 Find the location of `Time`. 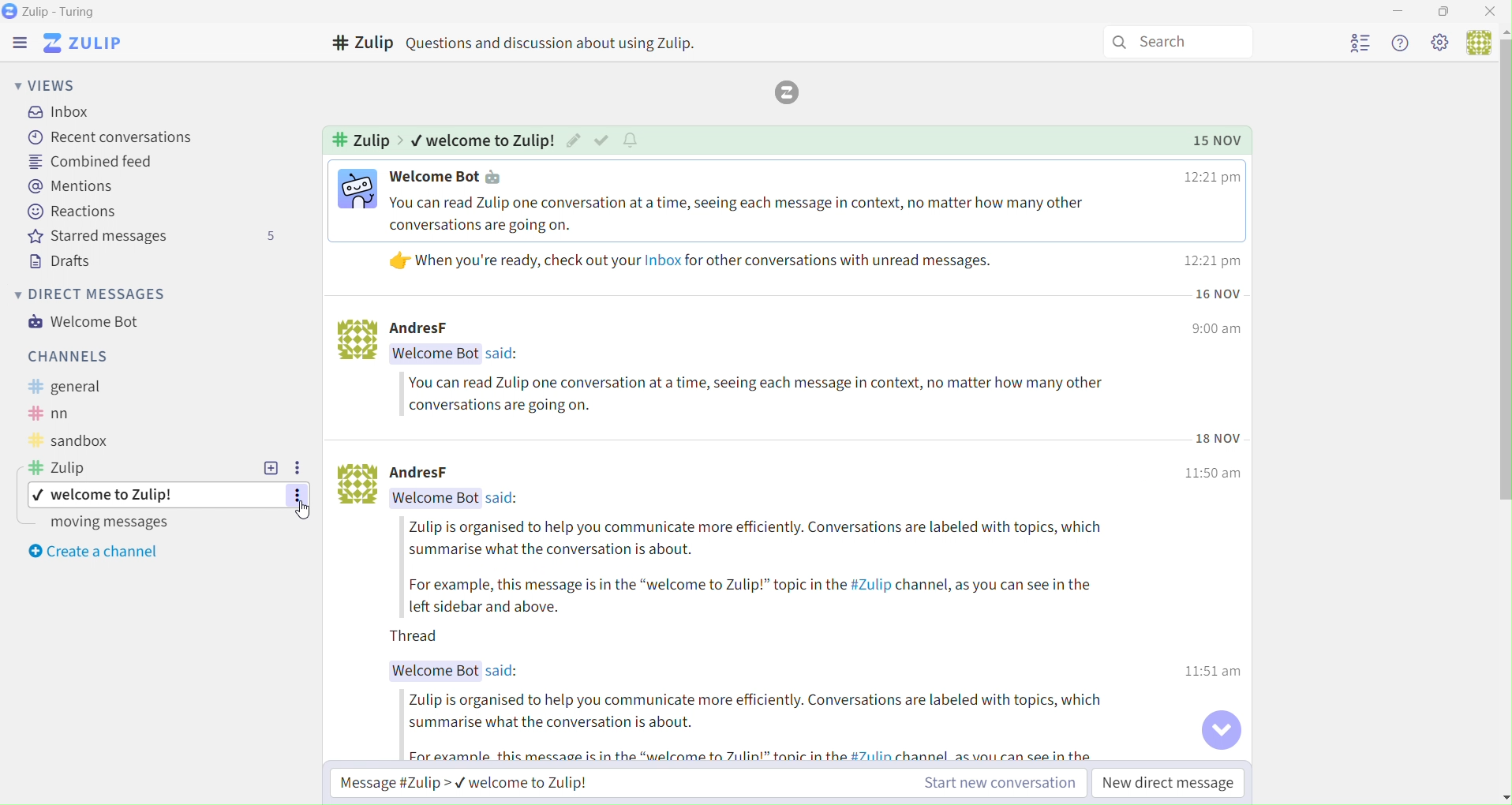

Time is located at coordinates (1220, 438).